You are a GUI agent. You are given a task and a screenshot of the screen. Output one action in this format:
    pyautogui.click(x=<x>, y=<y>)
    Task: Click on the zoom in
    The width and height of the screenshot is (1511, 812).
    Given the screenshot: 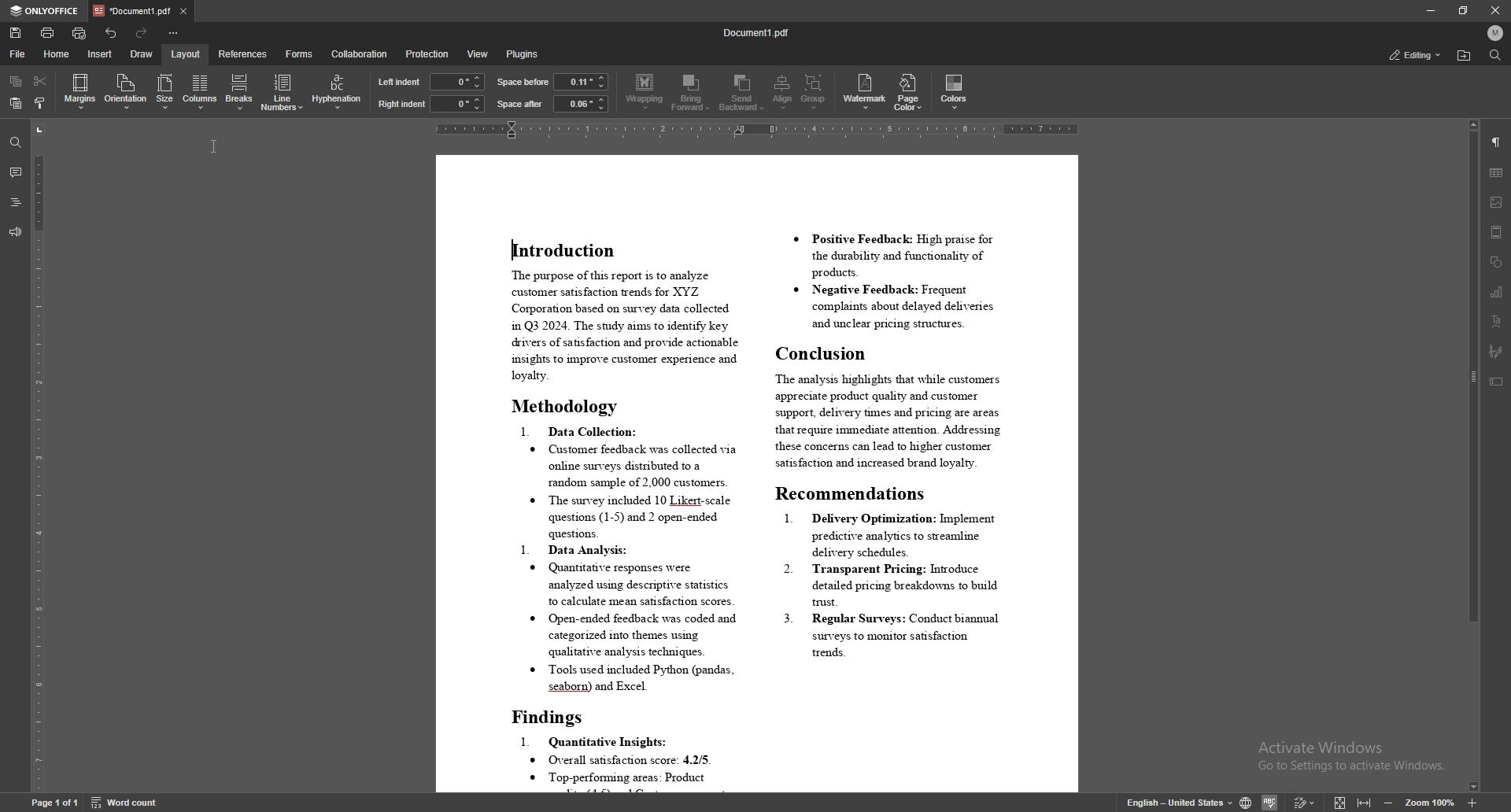 What is the action you would take?
    pyautogui.click(x=1472, y=803)
    